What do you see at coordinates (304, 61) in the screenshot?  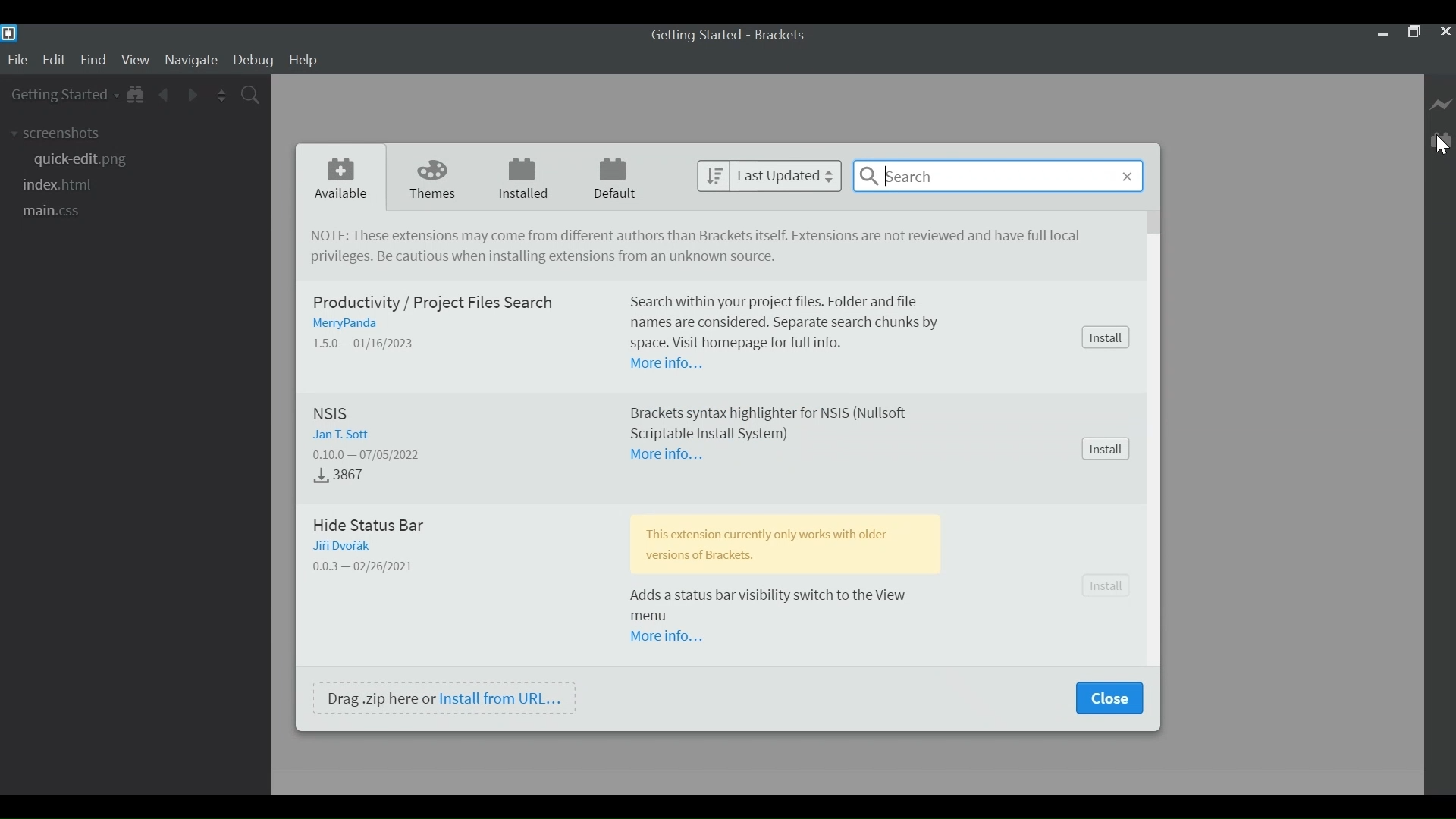 I see `Help` at bounding box center [304, 61].